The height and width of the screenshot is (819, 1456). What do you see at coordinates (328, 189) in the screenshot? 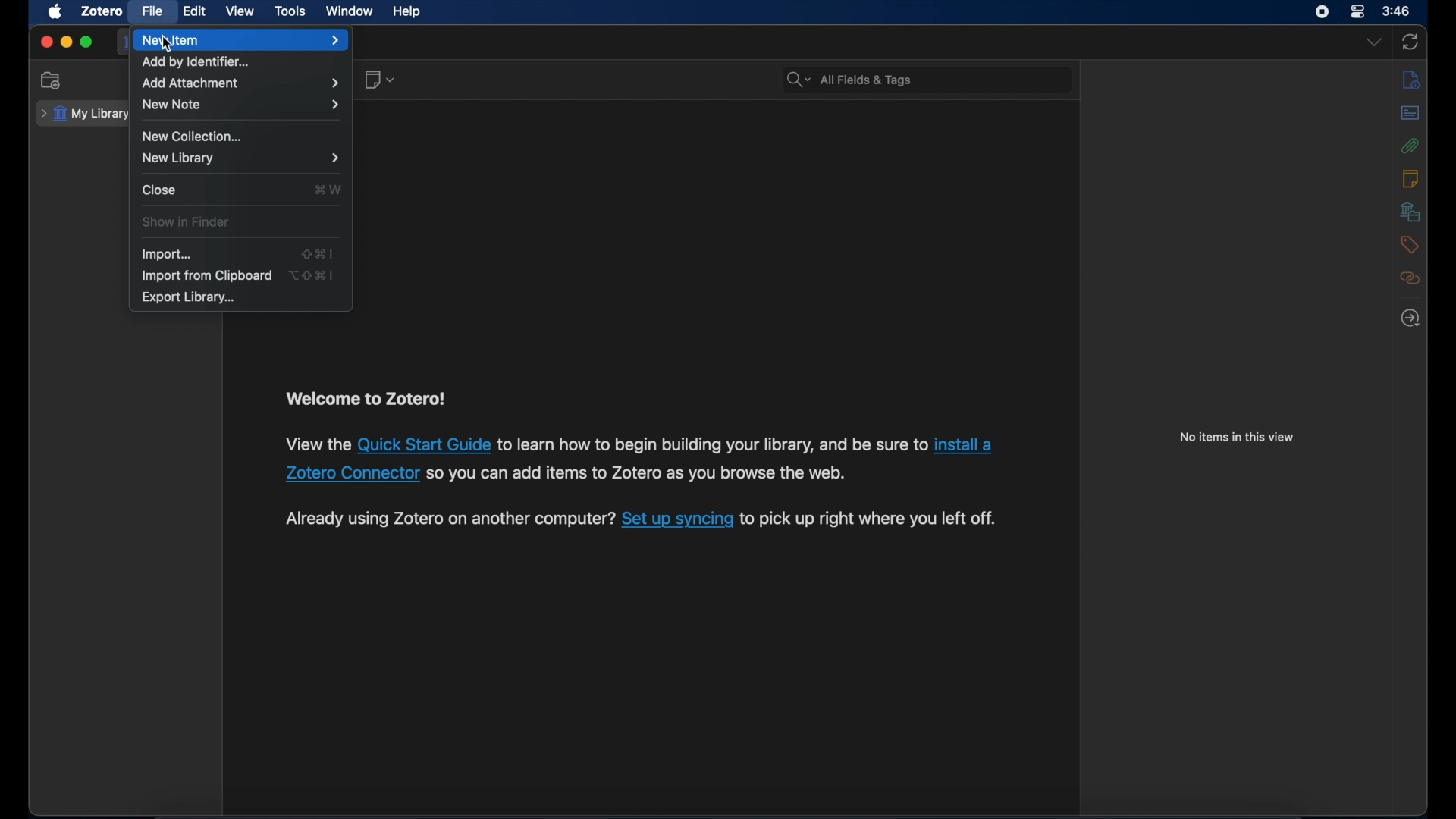
I see `shortcut` at bounding box center [328, 189].